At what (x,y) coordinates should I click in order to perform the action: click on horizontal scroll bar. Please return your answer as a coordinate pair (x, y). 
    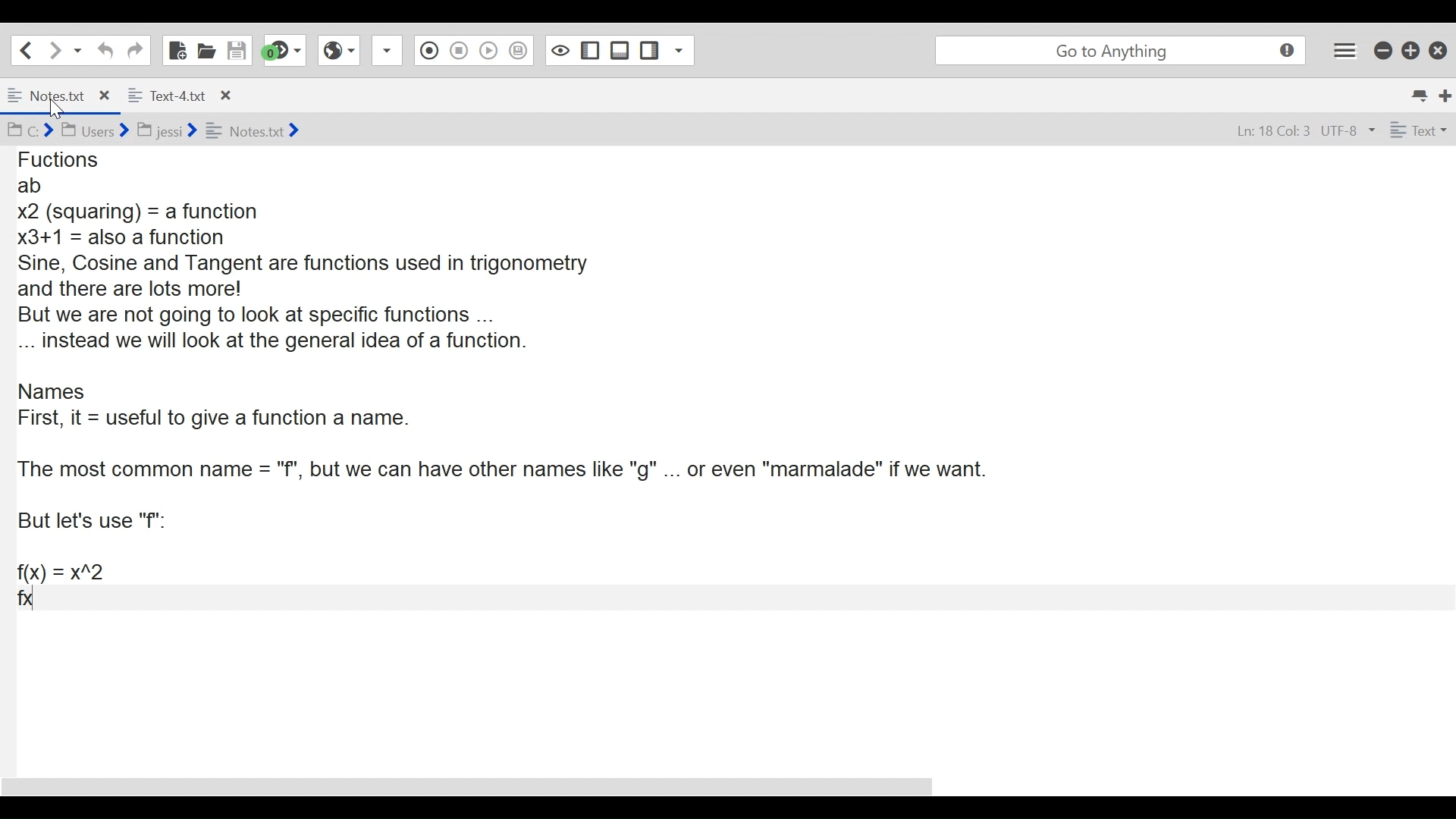
    Looking at the image, I should click on (485, 780).